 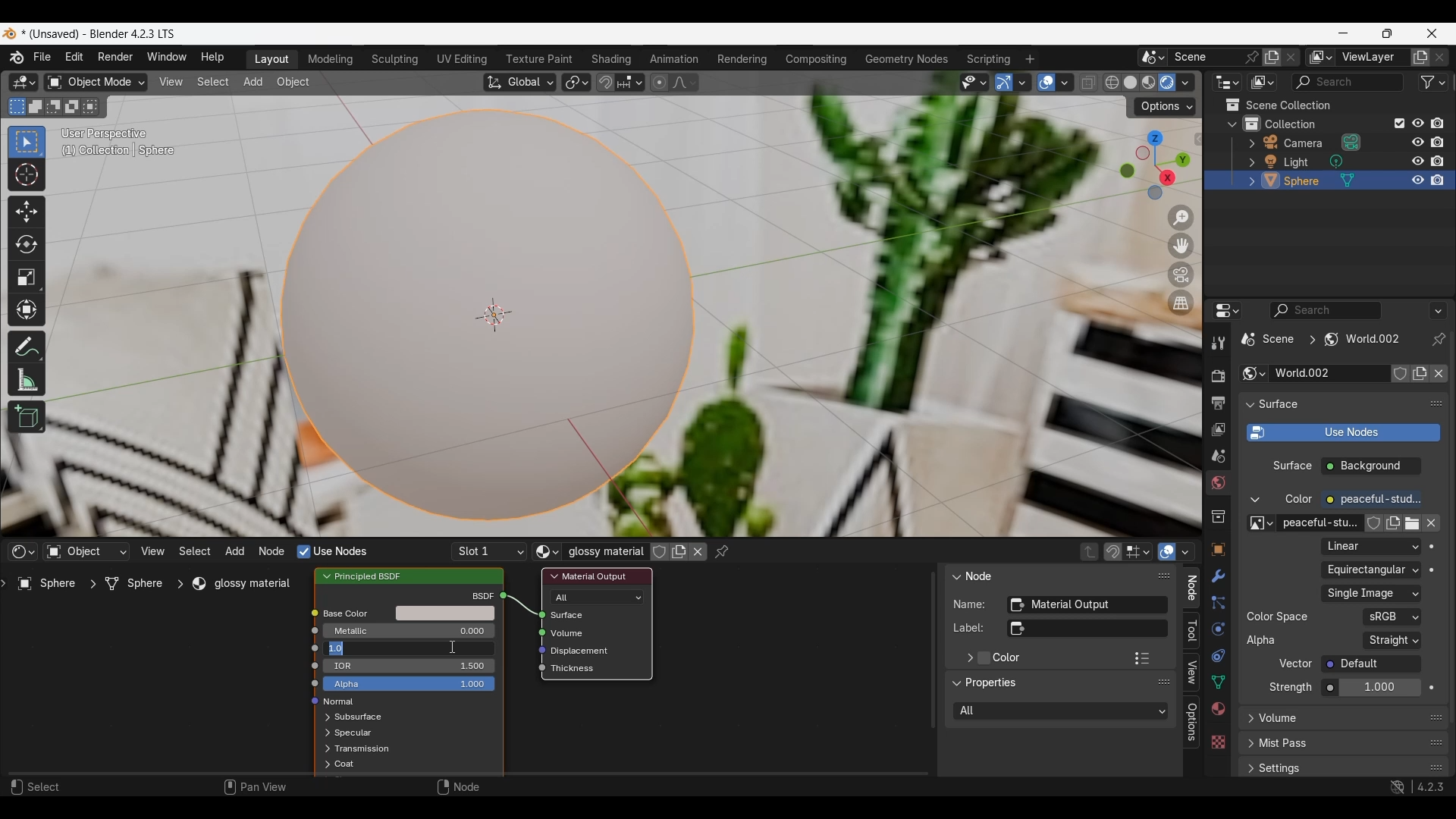 What do you see at coordinates (1400, 373) in the screenshot?
I see `Fake user` at bounding box center [1400, 373].